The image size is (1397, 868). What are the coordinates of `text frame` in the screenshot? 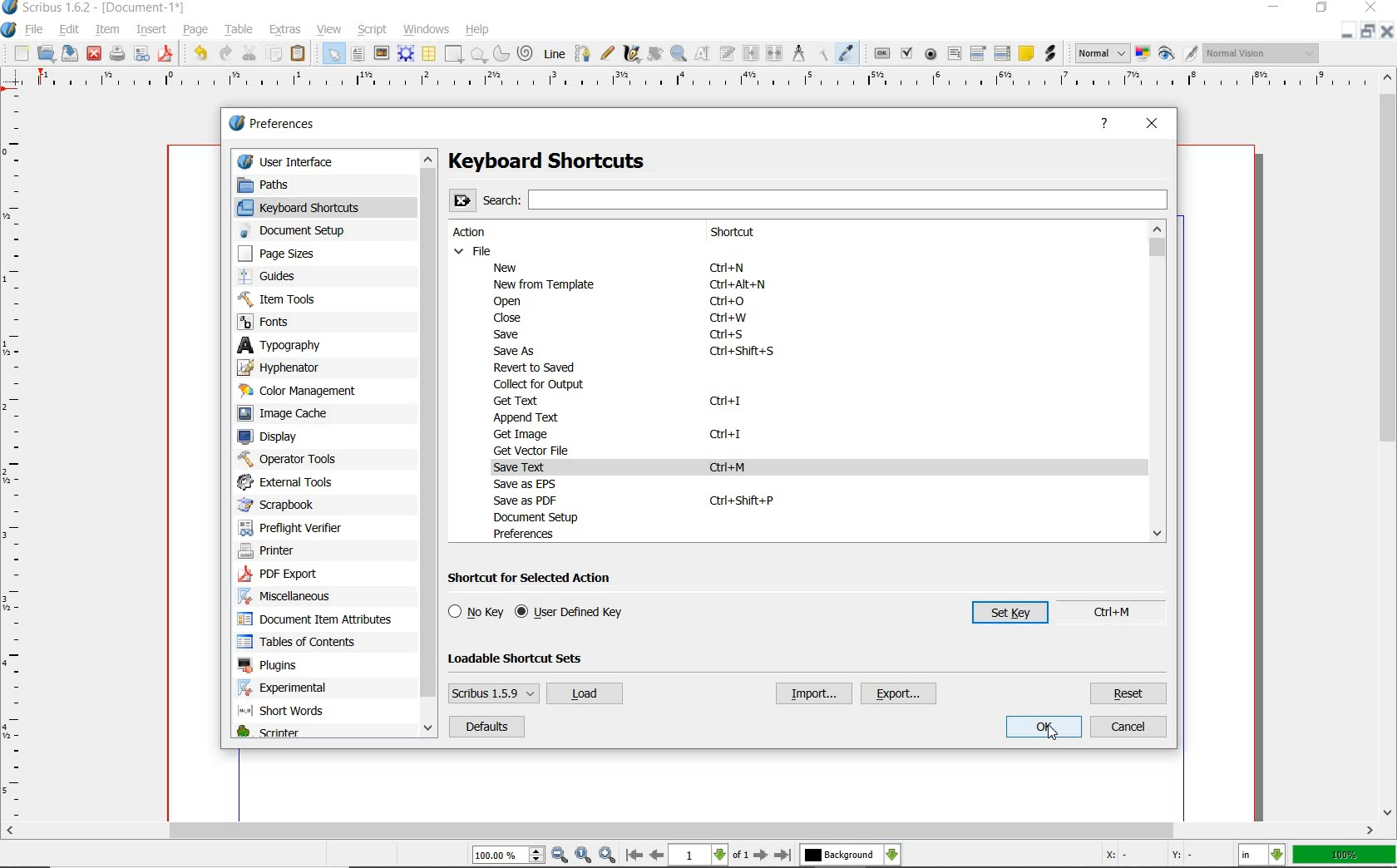 It's located at (358, 53).